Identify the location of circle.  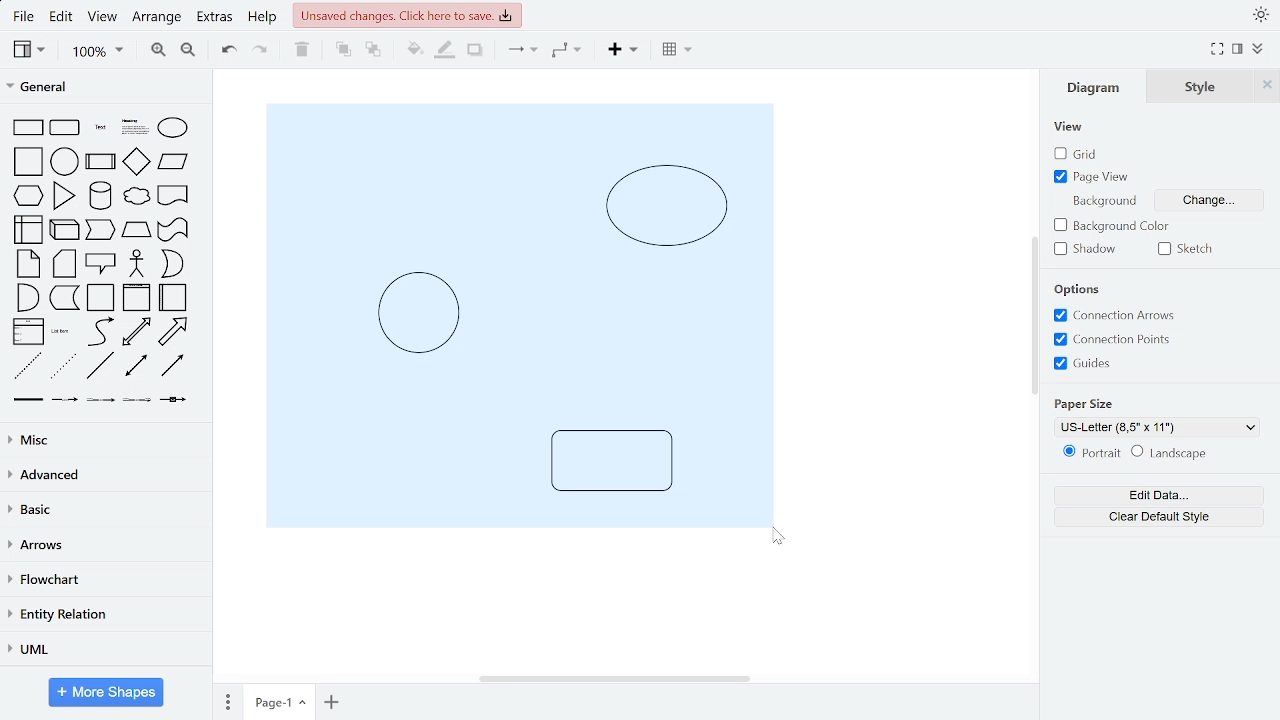
(65, 161).